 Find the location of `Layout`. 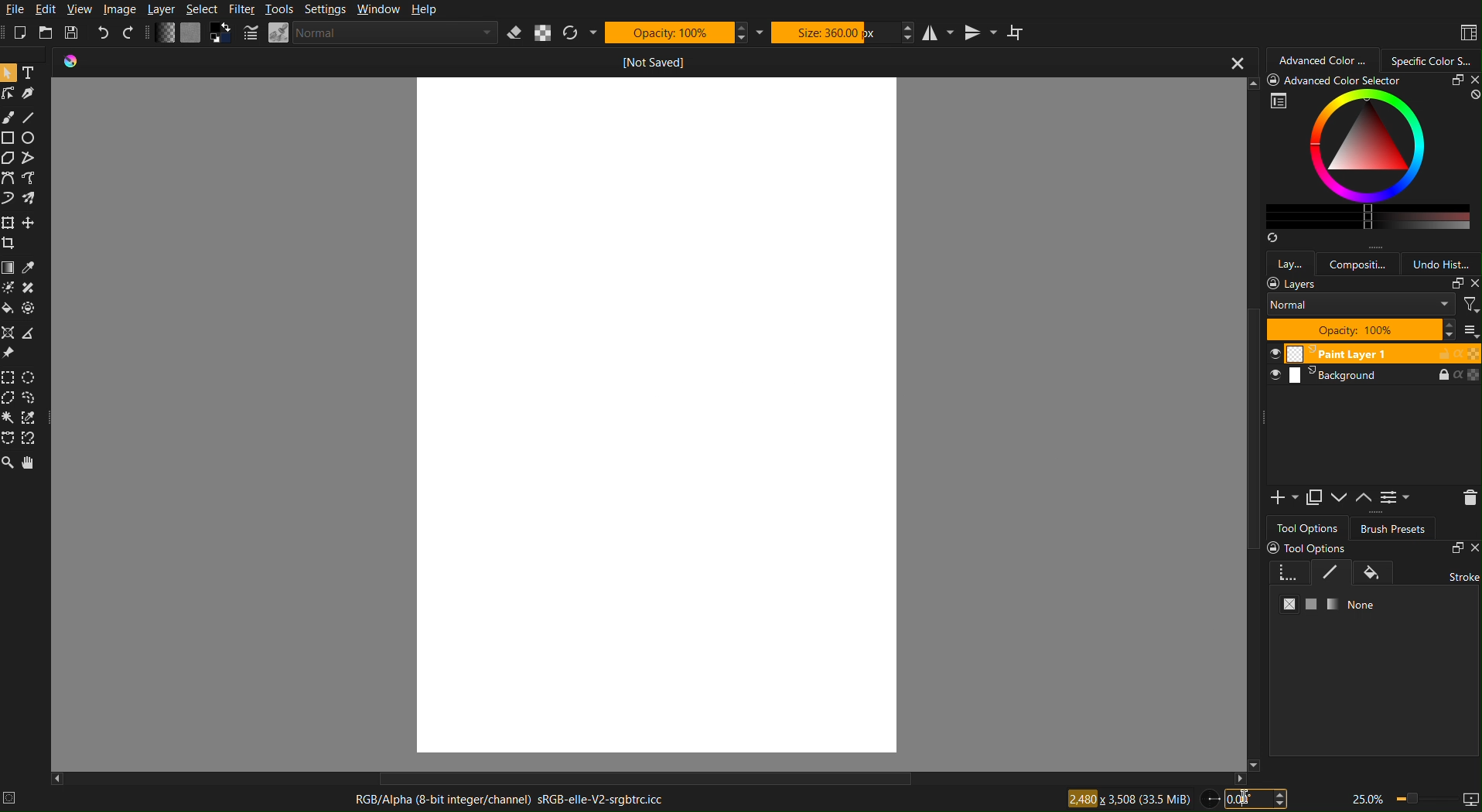

Layout is located at coordinates (1463, 29).